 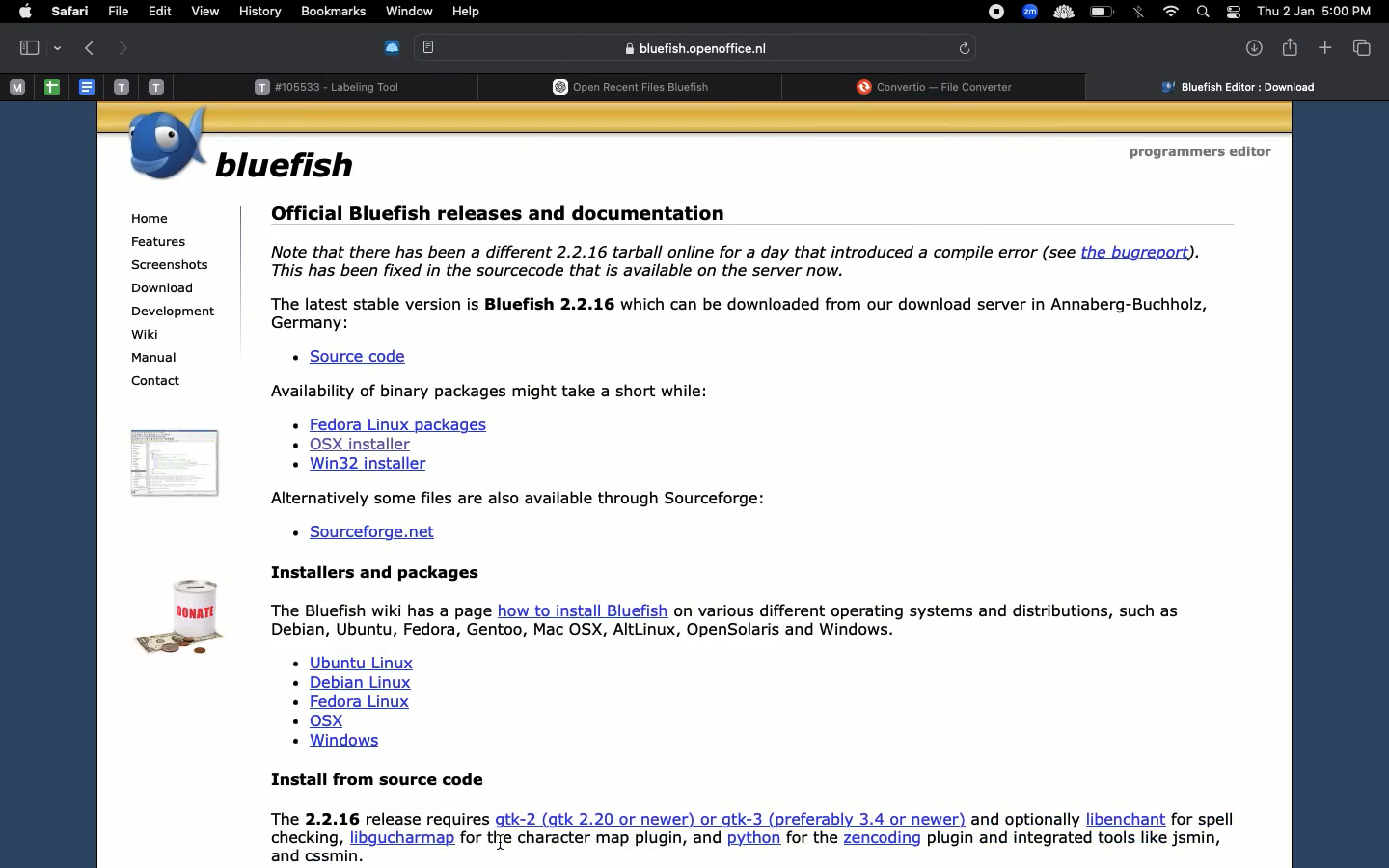 What do you see at coordinates (176, 12) in the screenshot?
I see `edit` at bounding box center [176, 12].